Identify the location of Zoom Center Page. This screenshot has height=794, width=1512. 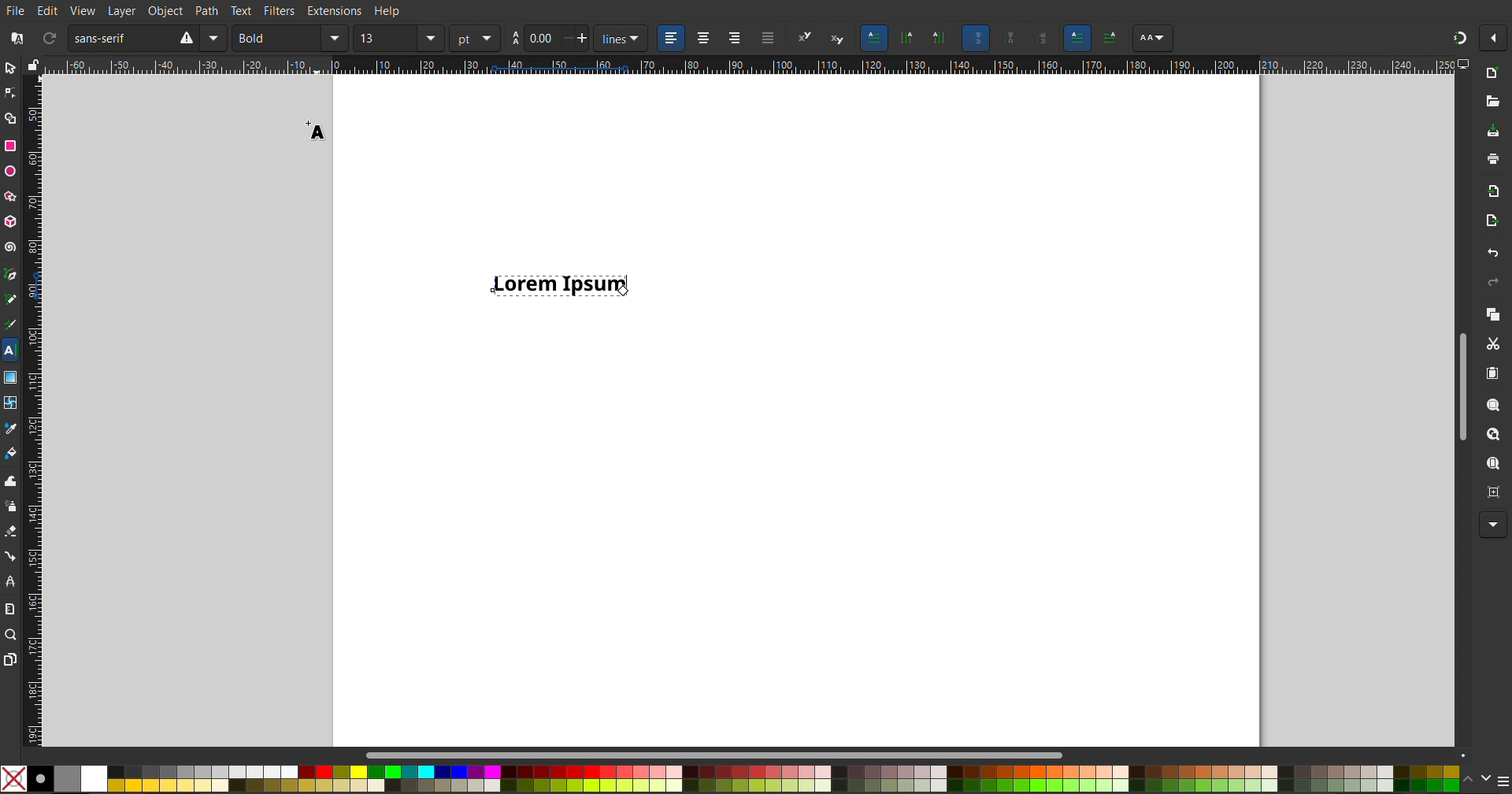
(1492, 491).